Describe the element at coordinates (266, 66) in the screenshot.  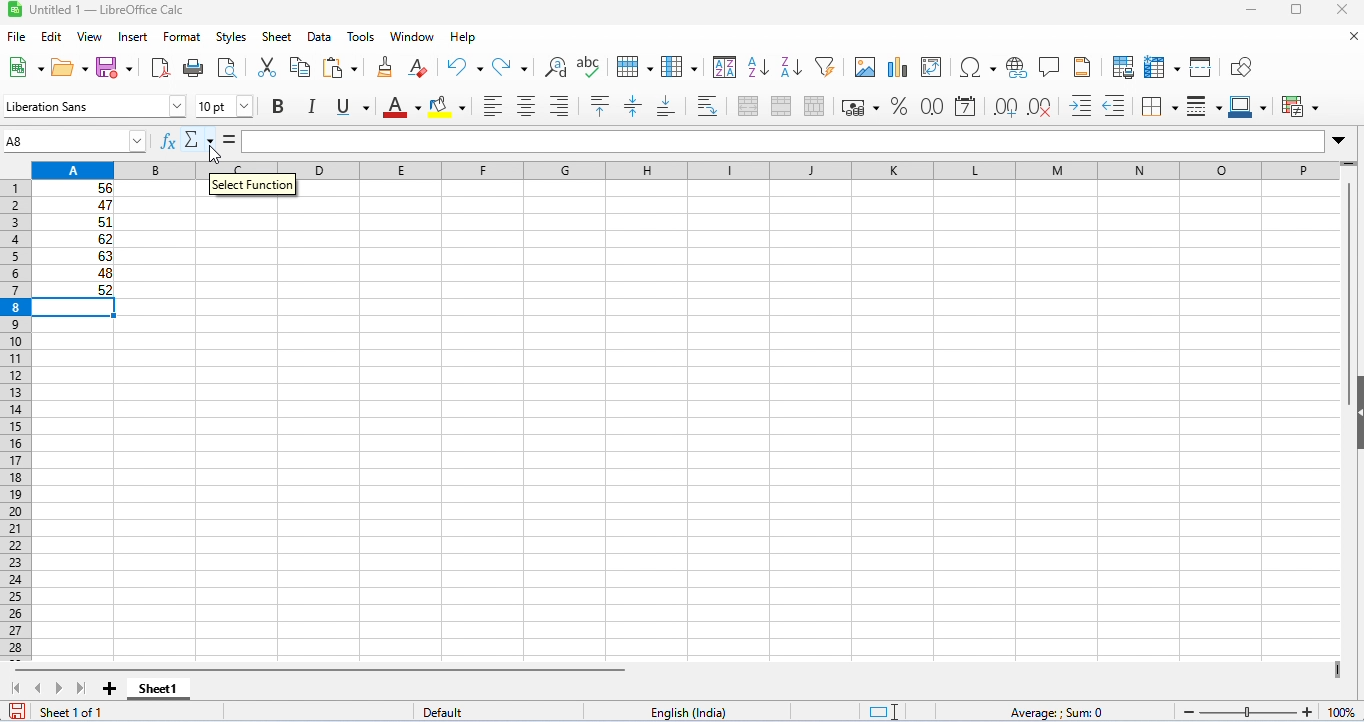
I see `cut` at that location.